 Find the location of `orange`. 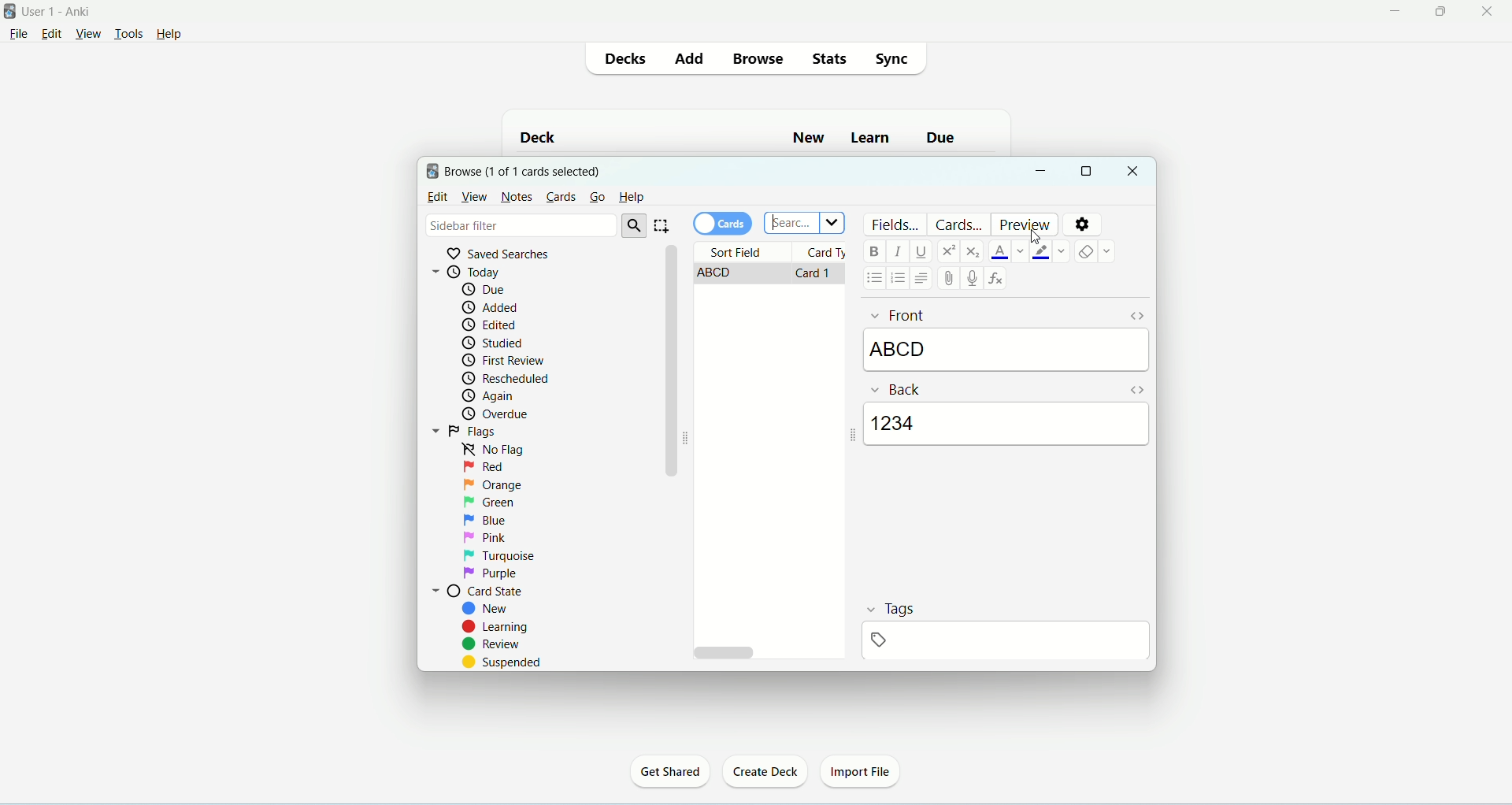

orange is located at coordinates (492, 486).